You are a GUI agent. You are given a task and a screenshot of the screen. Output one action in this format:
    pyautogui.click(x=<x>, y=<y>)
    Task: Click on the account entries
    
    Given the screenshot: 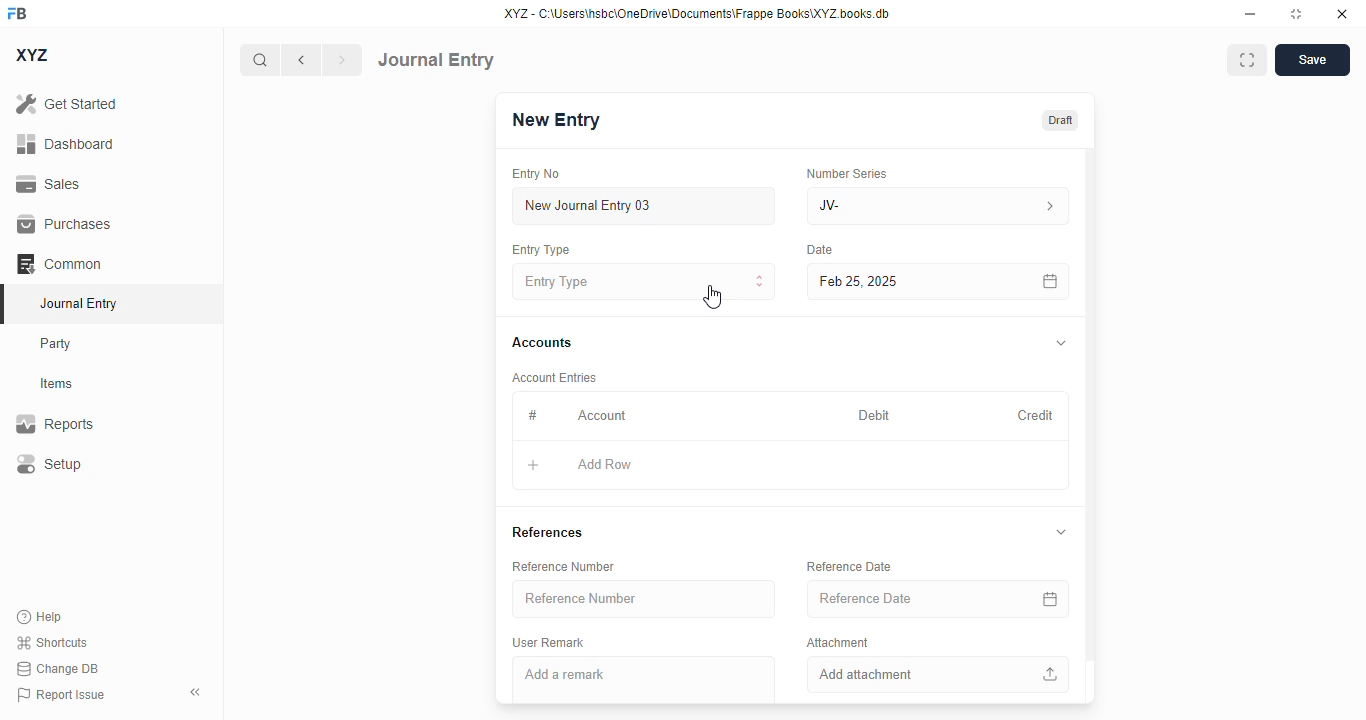 What is the action you would take?
    pyautogui.click(x=554, y=377)
    